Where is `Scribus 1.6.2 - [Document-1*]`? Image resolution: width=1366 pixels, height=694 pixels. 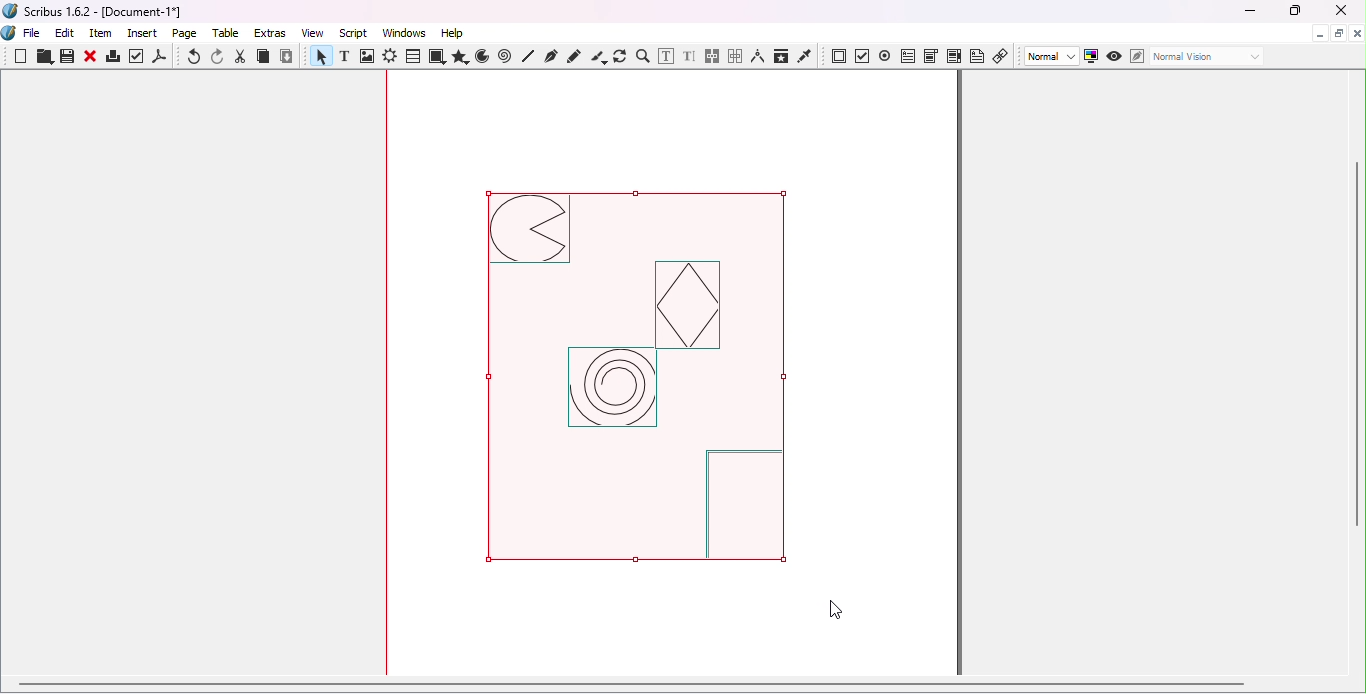
Scribus 1.6.2 - [Document-1*] is located at coordinates (101, 13).